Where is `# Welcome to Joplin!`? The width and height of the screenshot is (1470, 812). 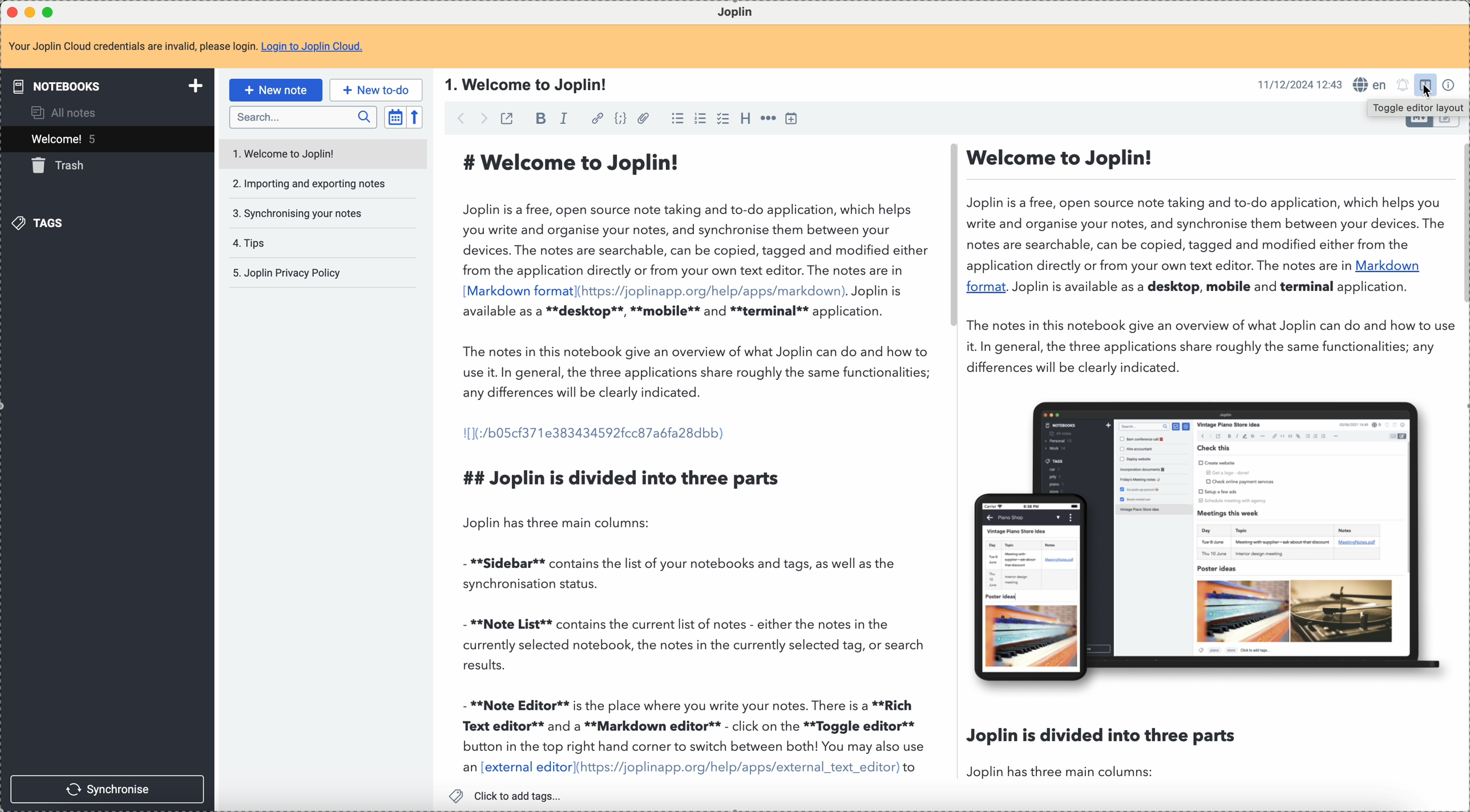
# Welcome to Joplin! is located at coordinates (576, 162).